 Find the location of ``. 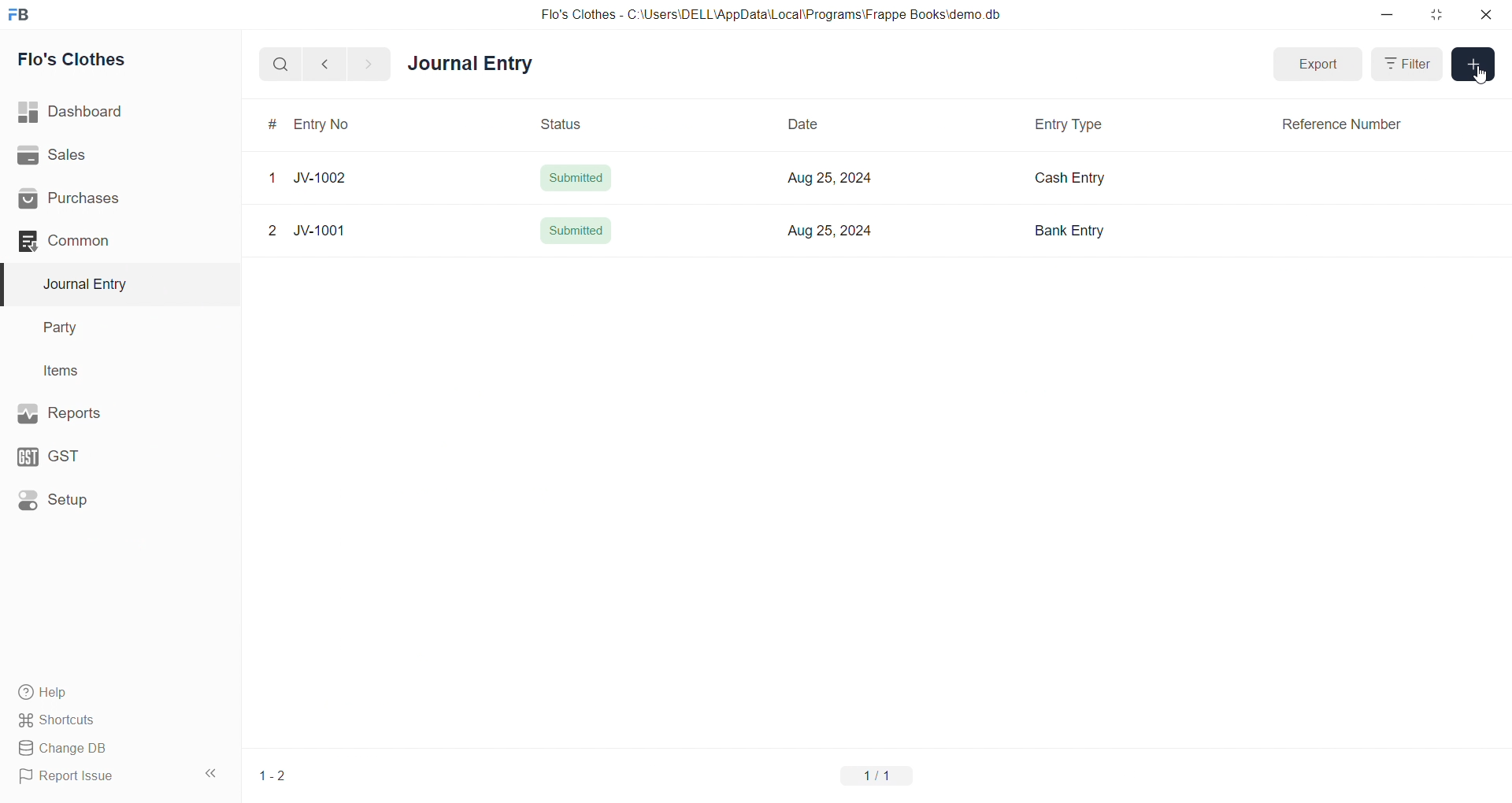

 is located at coordinates (272, 233).